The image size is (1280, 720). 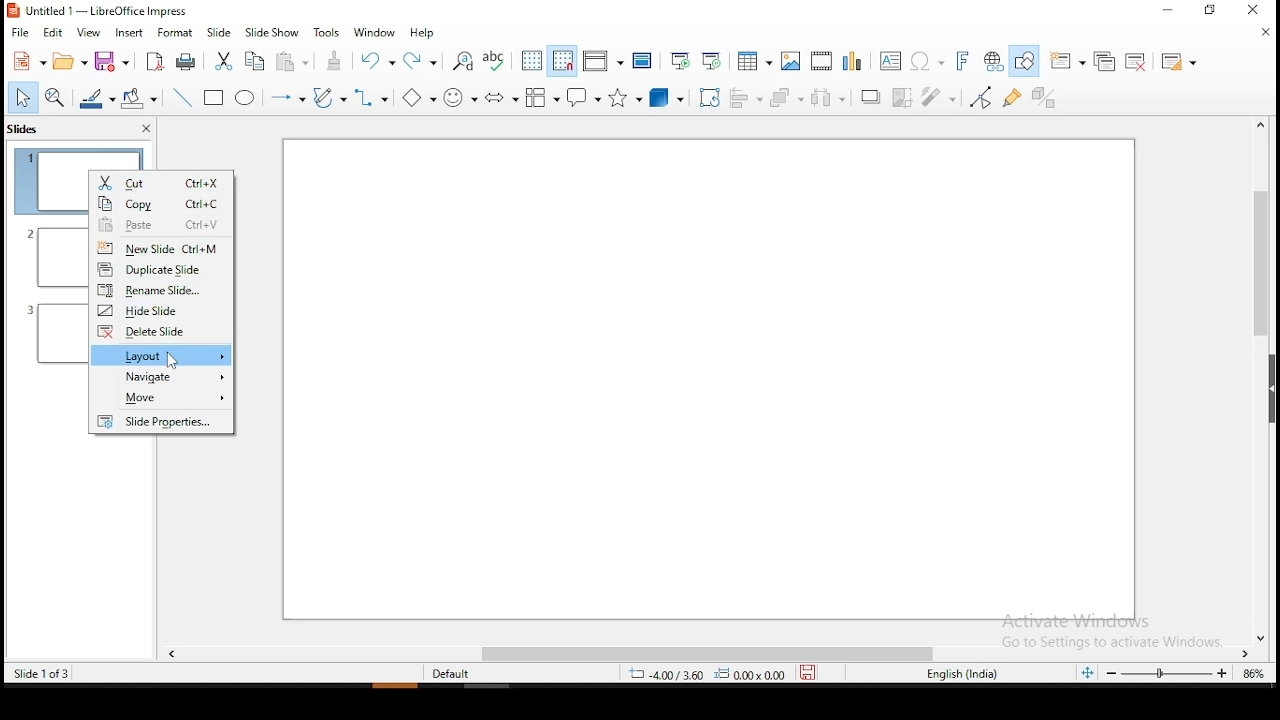 What do you see at coordinates (39, 673) in the screenshot?
I see `slide 1 of 3` at bounding box center [39, 673].